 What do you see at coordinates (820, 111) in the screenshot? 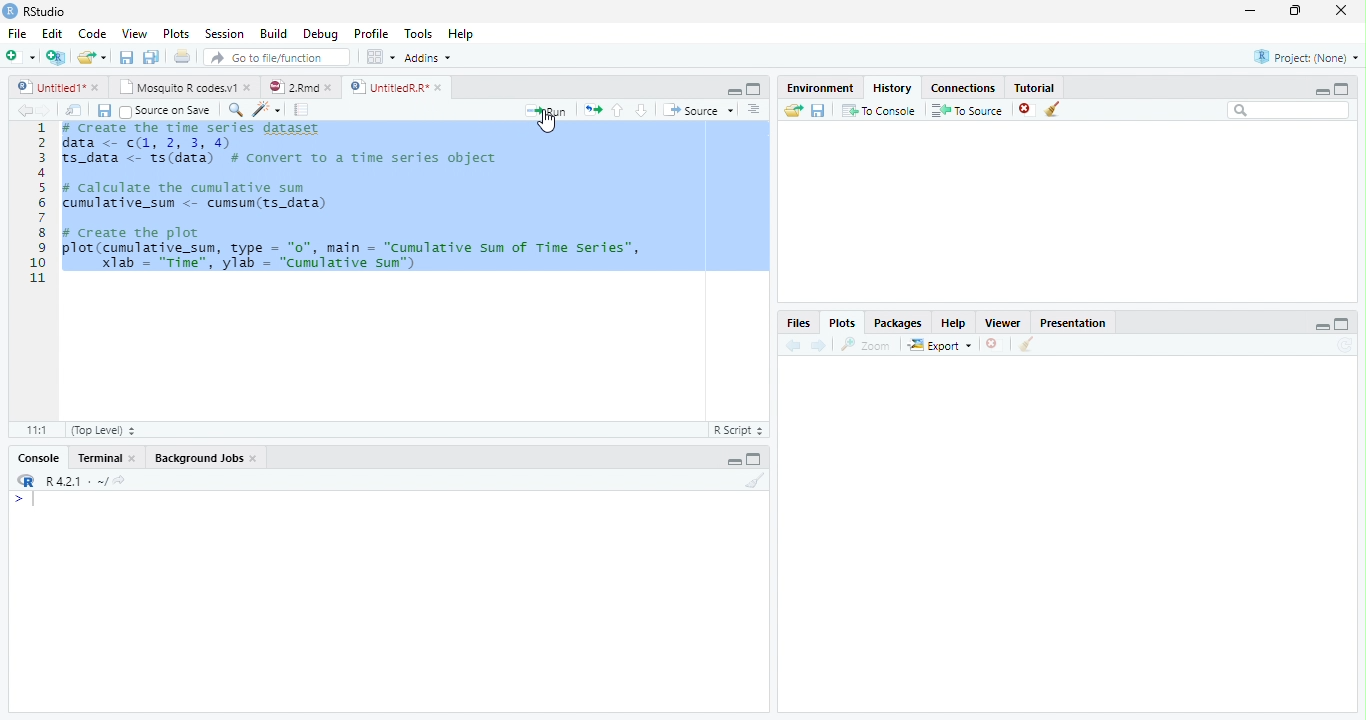
I see `Save` at bounding box center [820, 111].